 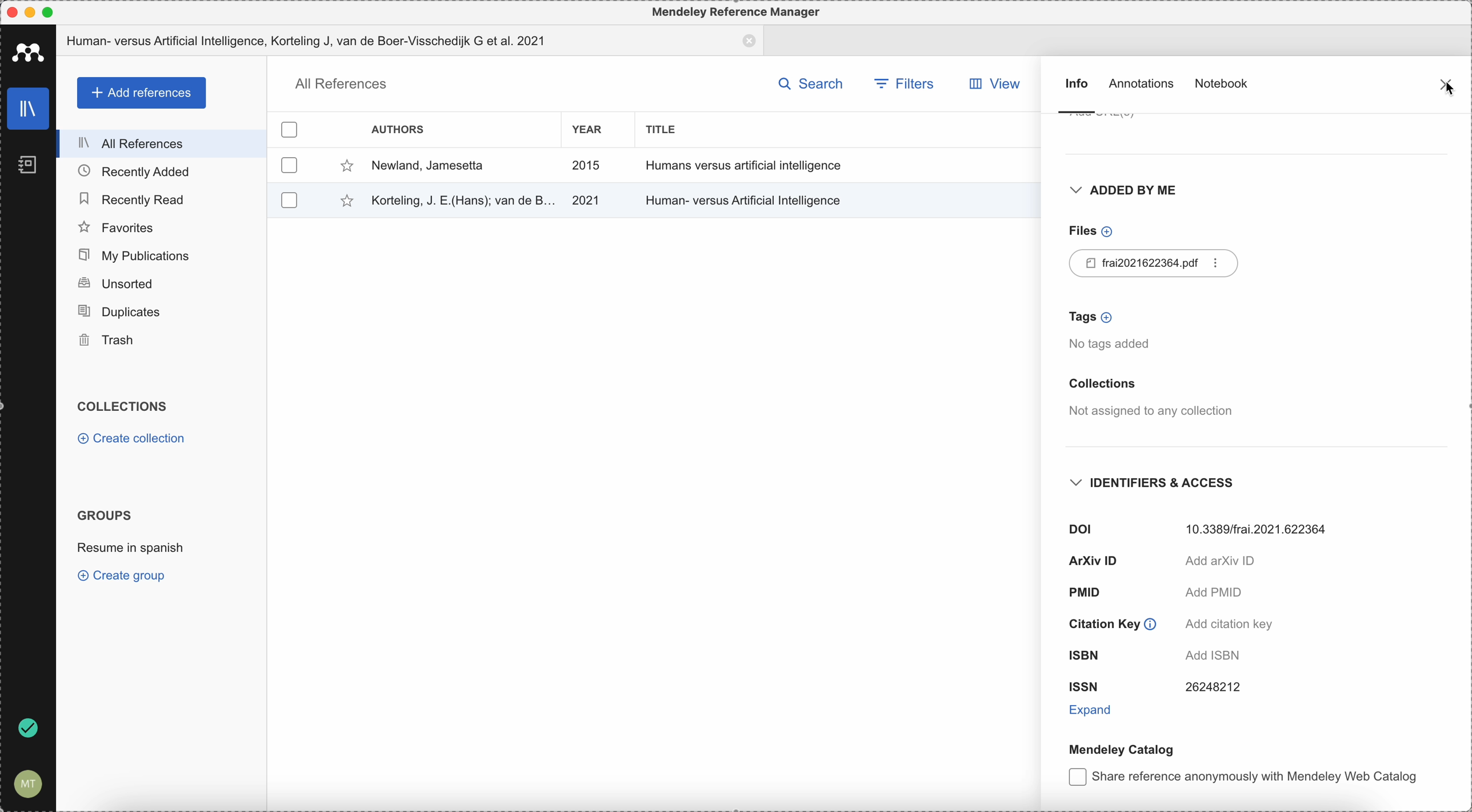 What do you see at coordinates (461, 199) in the screenshot?
I see `Korteling, J.E(Hans); van de B.` at bounding box center [461, 199].